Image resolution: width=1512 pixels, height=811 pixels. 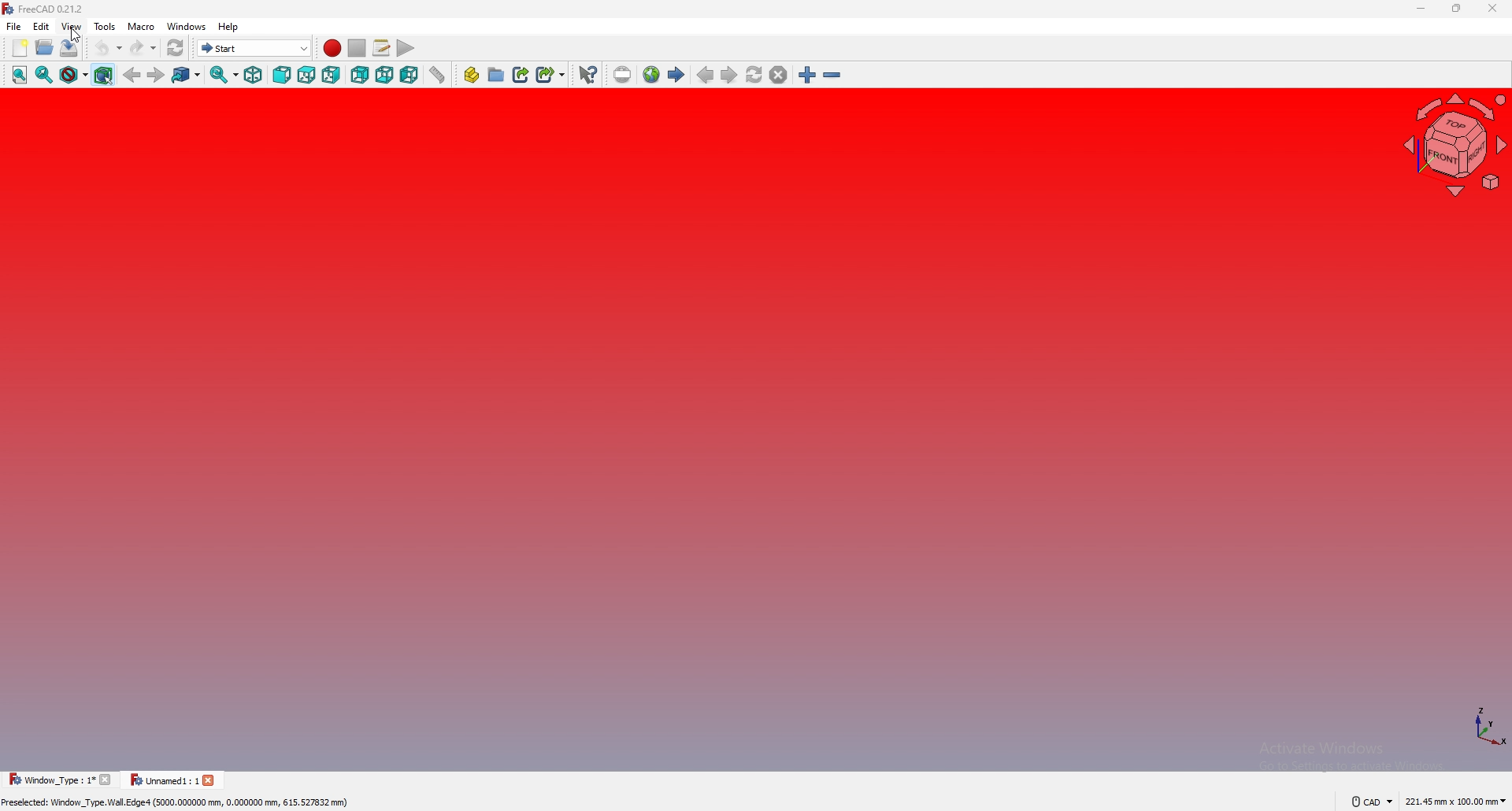 I want to click on new, so click(x=20, y=47).